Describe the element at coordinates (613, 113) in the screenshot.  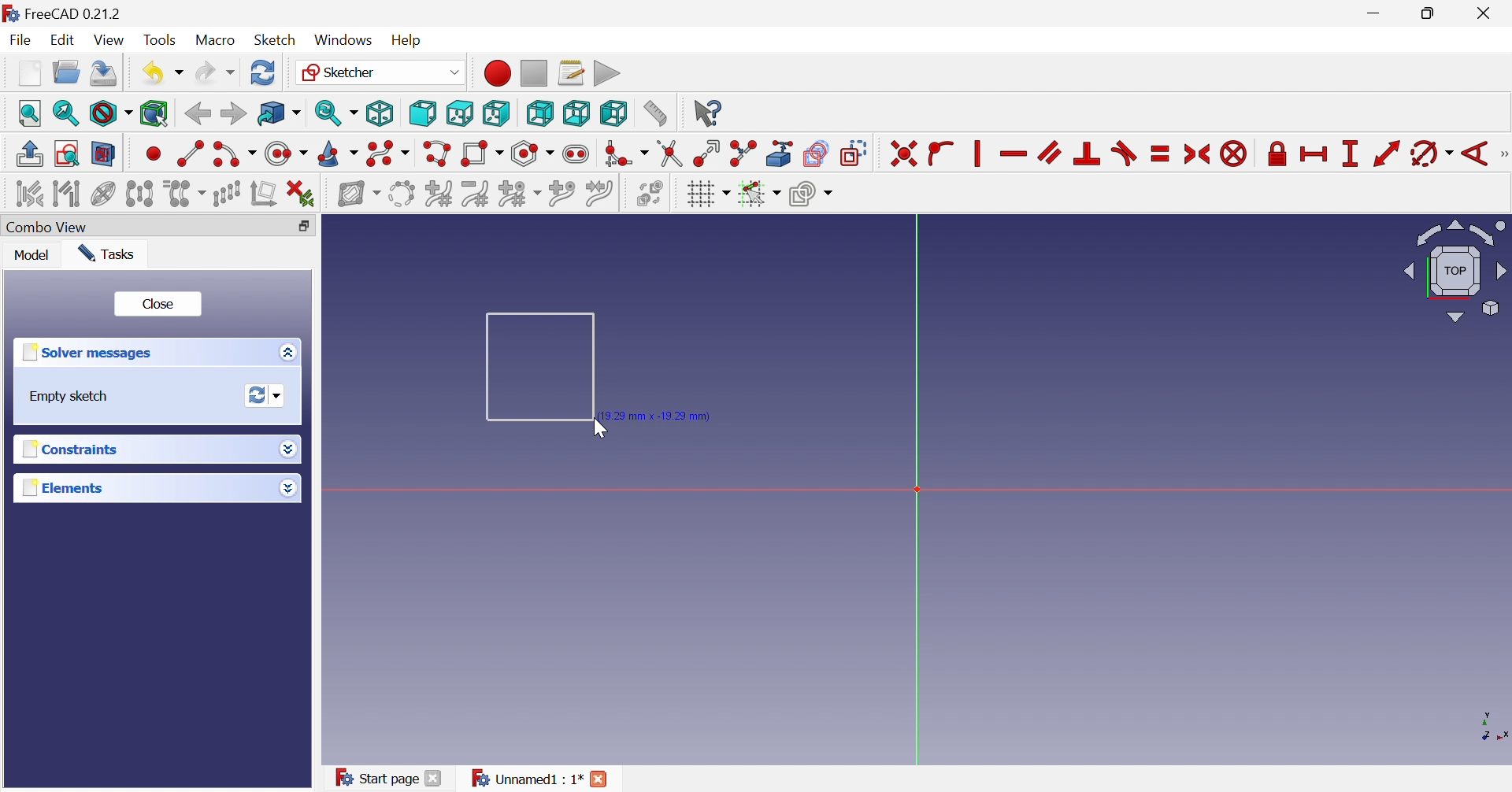
I see `Left` at that location.